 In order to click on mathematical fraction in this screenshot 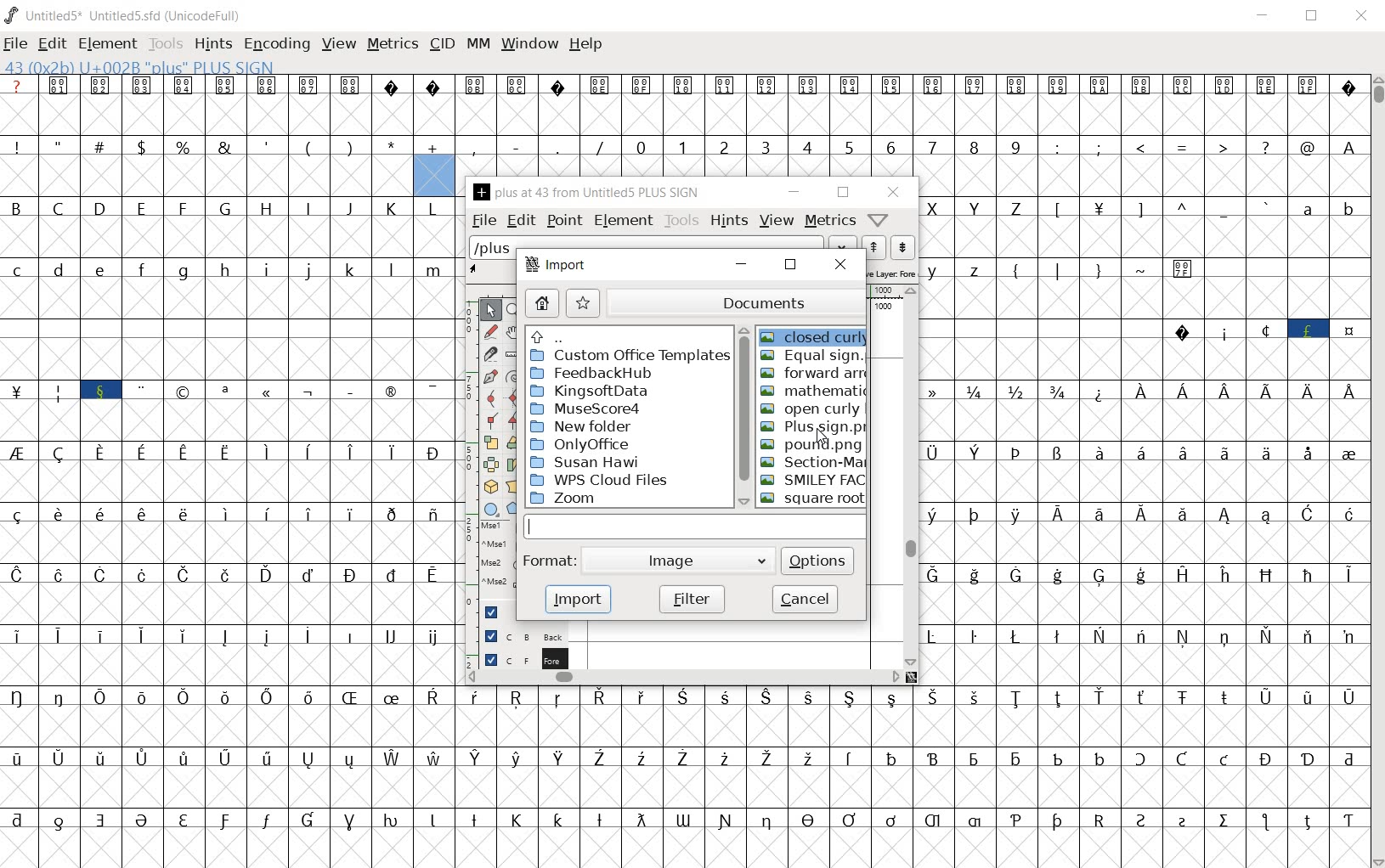, I will do `click(1001, 410)`.